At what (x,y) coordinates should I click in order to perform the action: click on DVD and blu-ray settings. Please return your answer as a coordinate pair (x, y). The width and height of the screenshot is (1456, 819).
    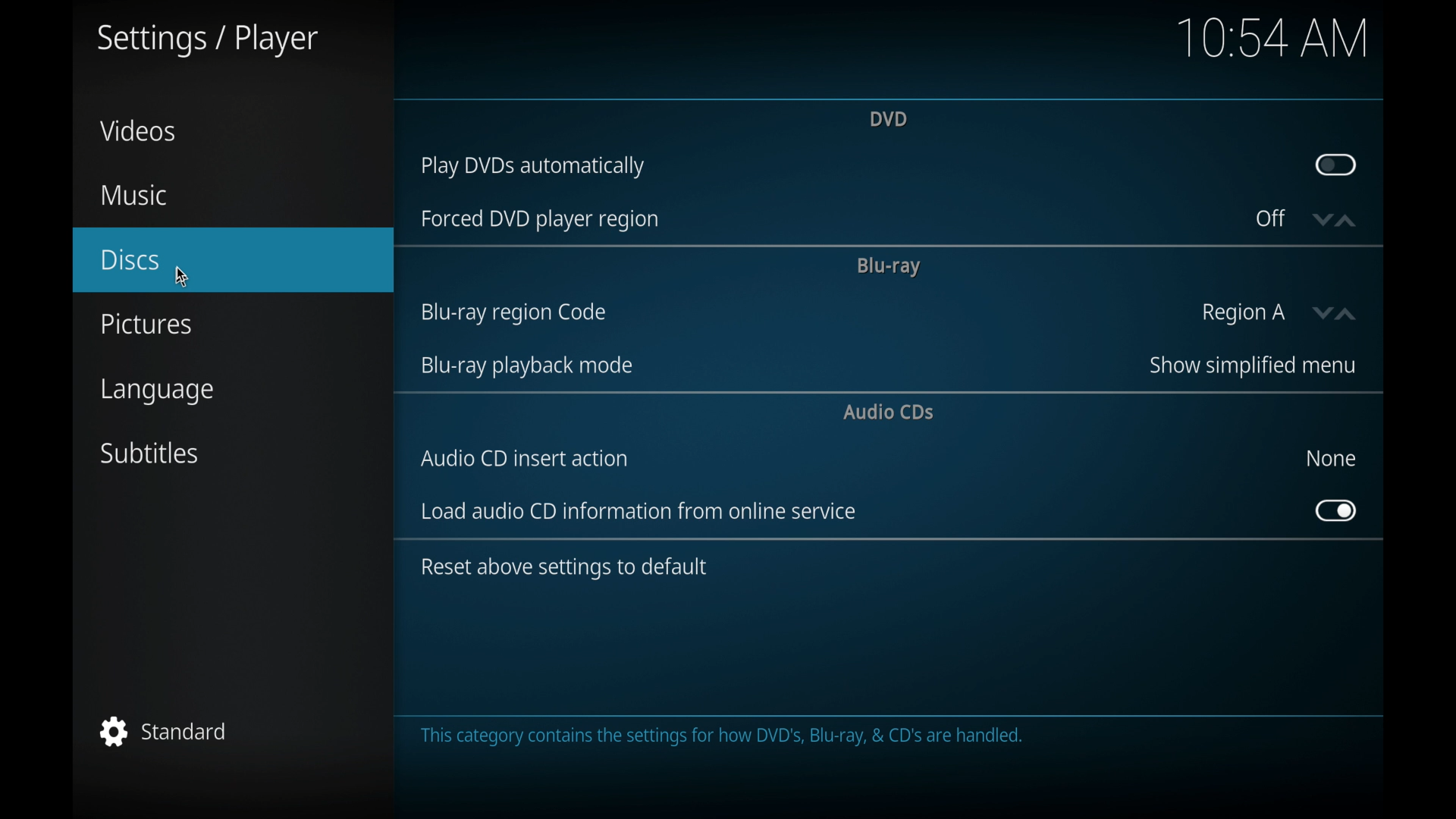
    Looking at the image, I should click on (720, 736).